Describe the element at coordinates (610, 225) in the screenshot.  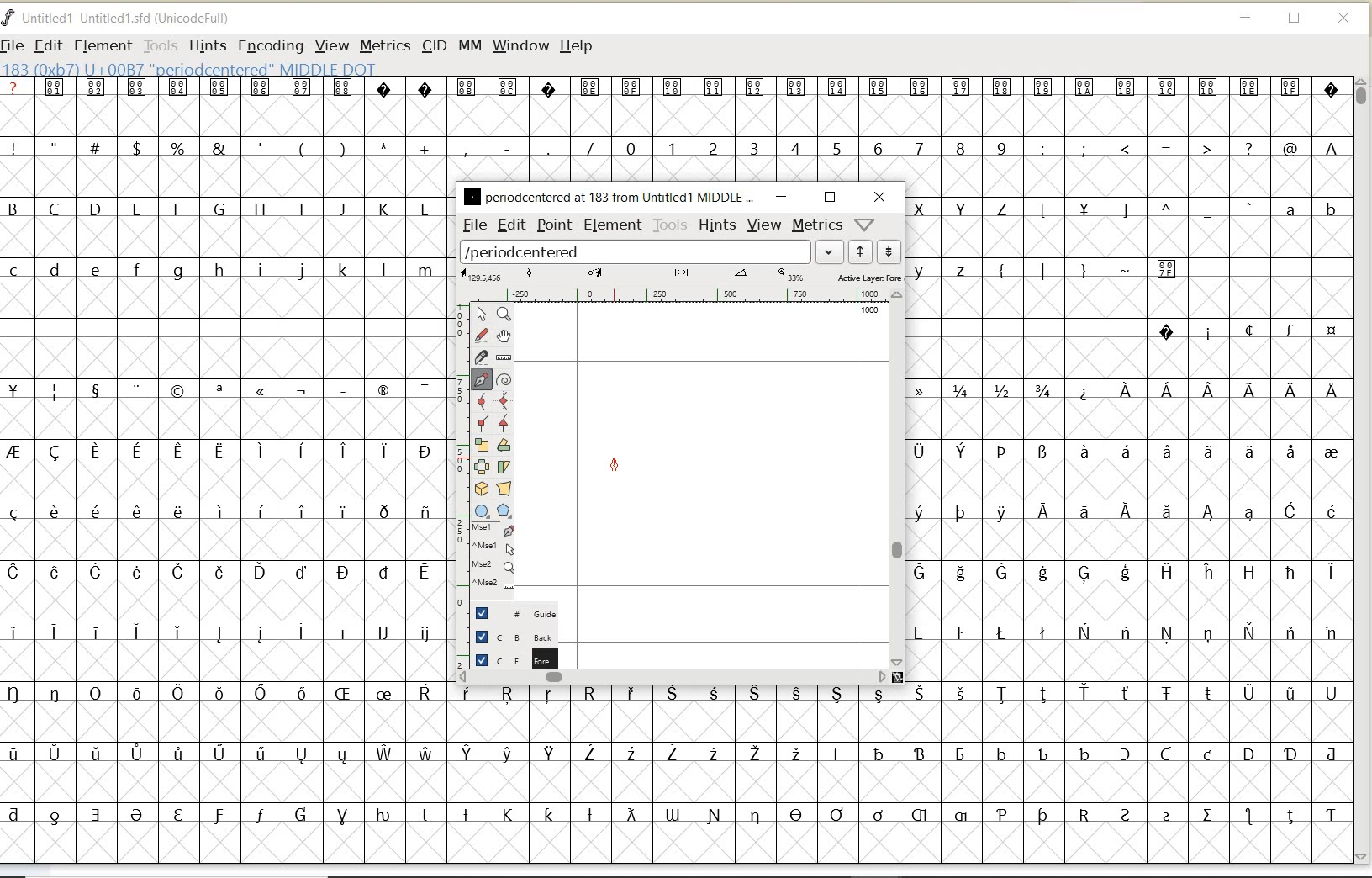
I see `element` at that location.